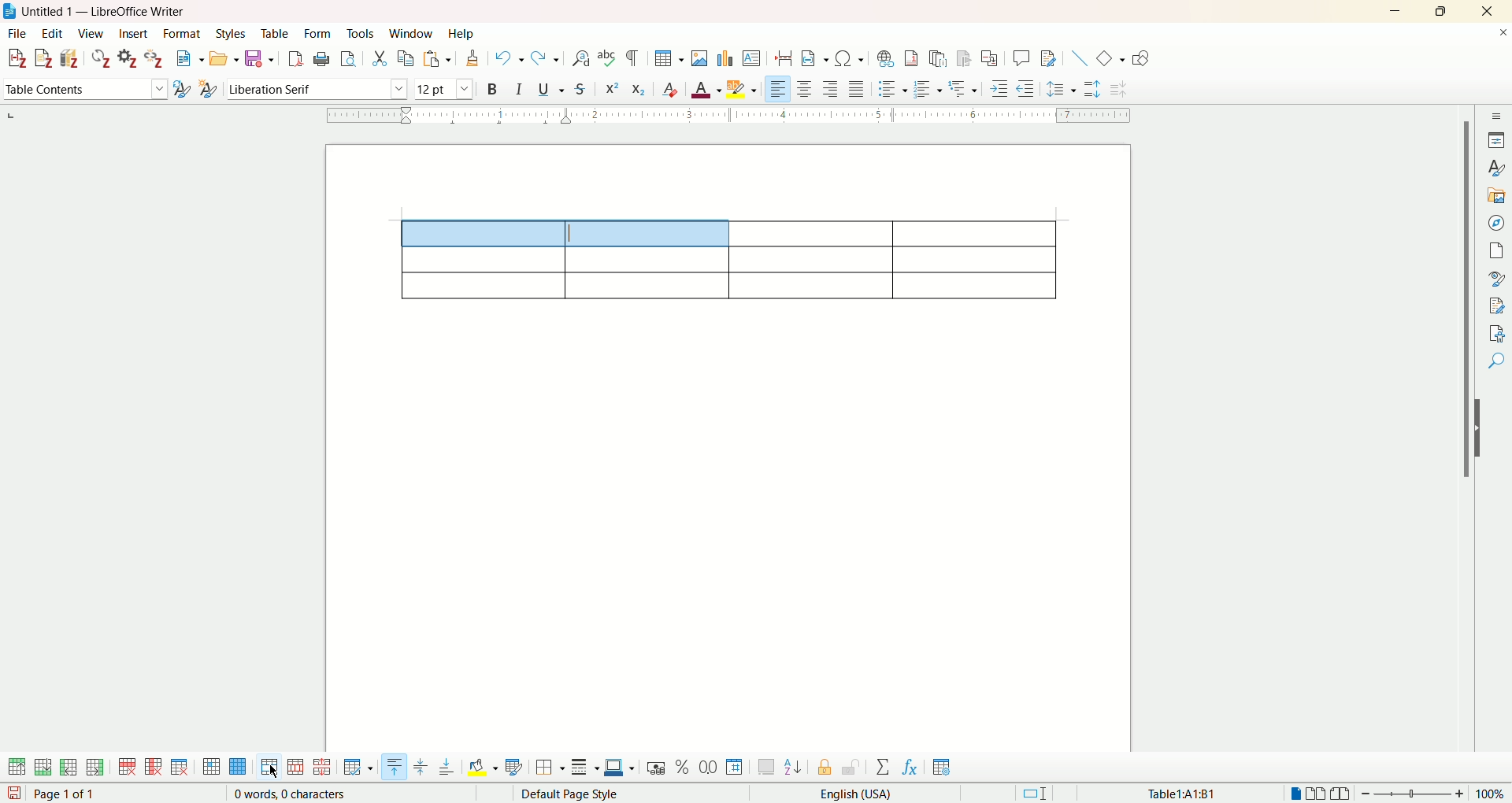 This screenshot has width=1512, height=803. I want to click on format as percent, so click(682, 769).